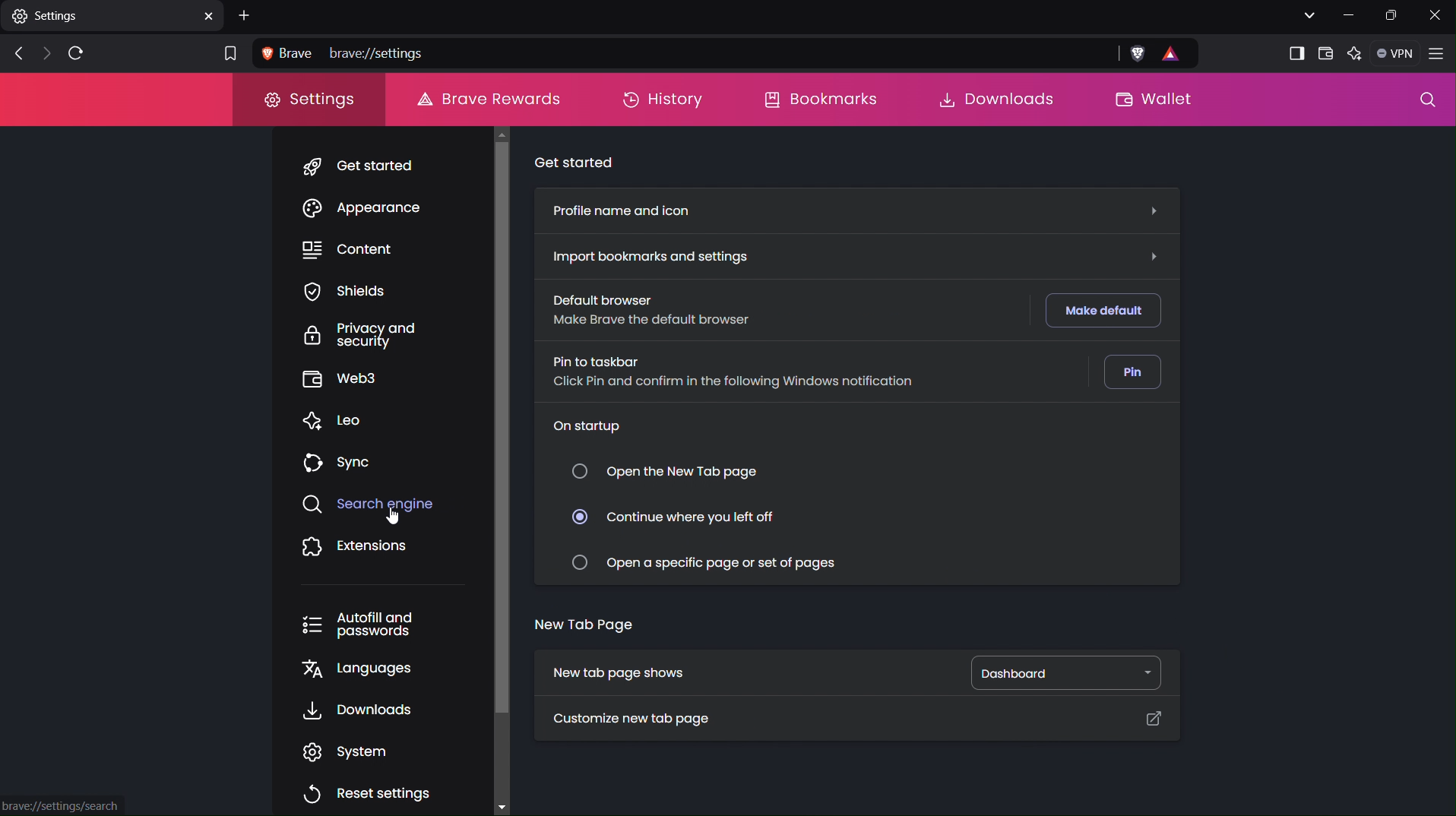  What do you see at coordinates (736, 374) in the screenshot?
I see `Pin to taskbar` at bounding box center [736, 374].